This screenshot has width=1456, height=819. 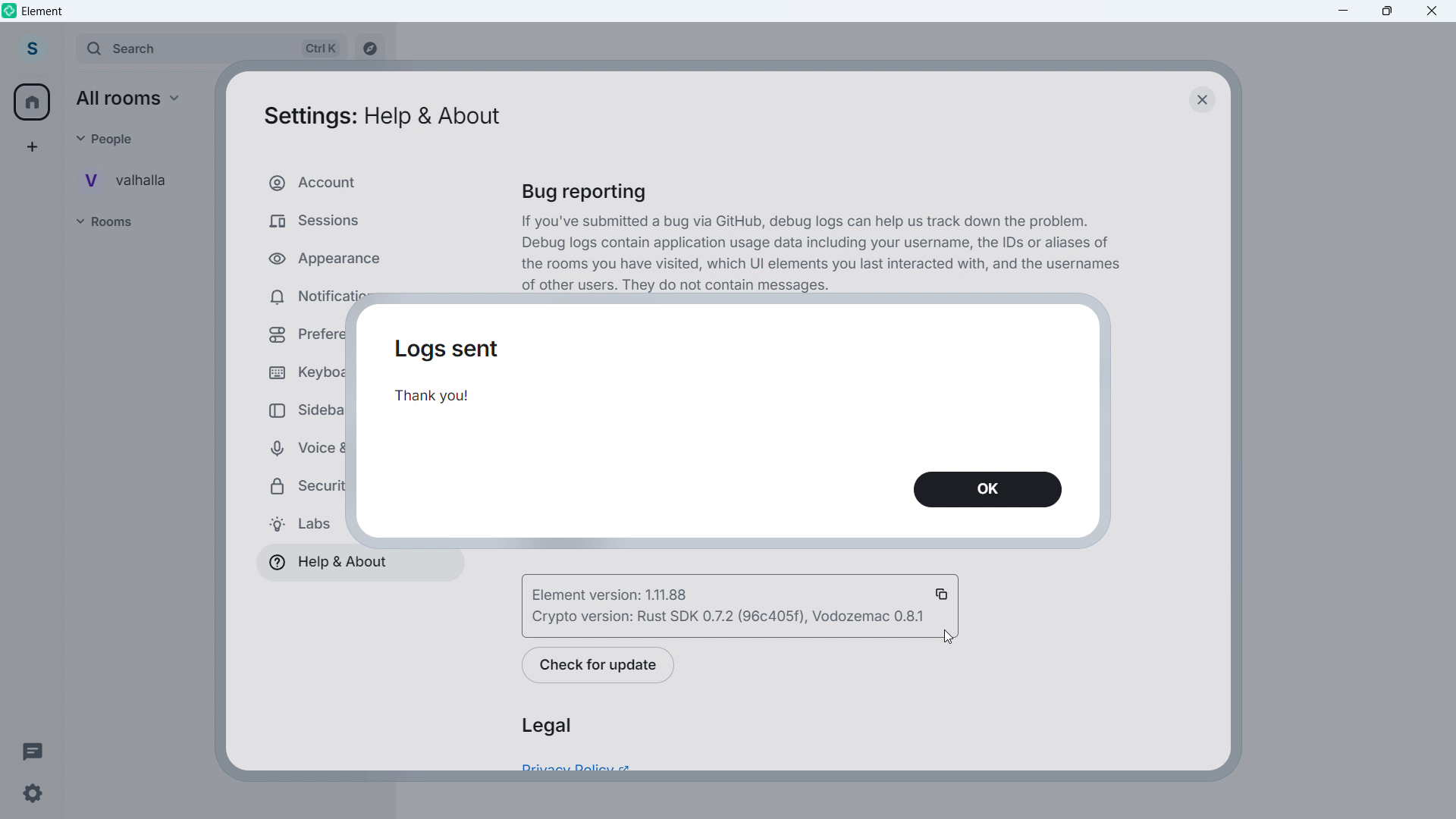 I want to click on check for update , so click(x=600, y=666).